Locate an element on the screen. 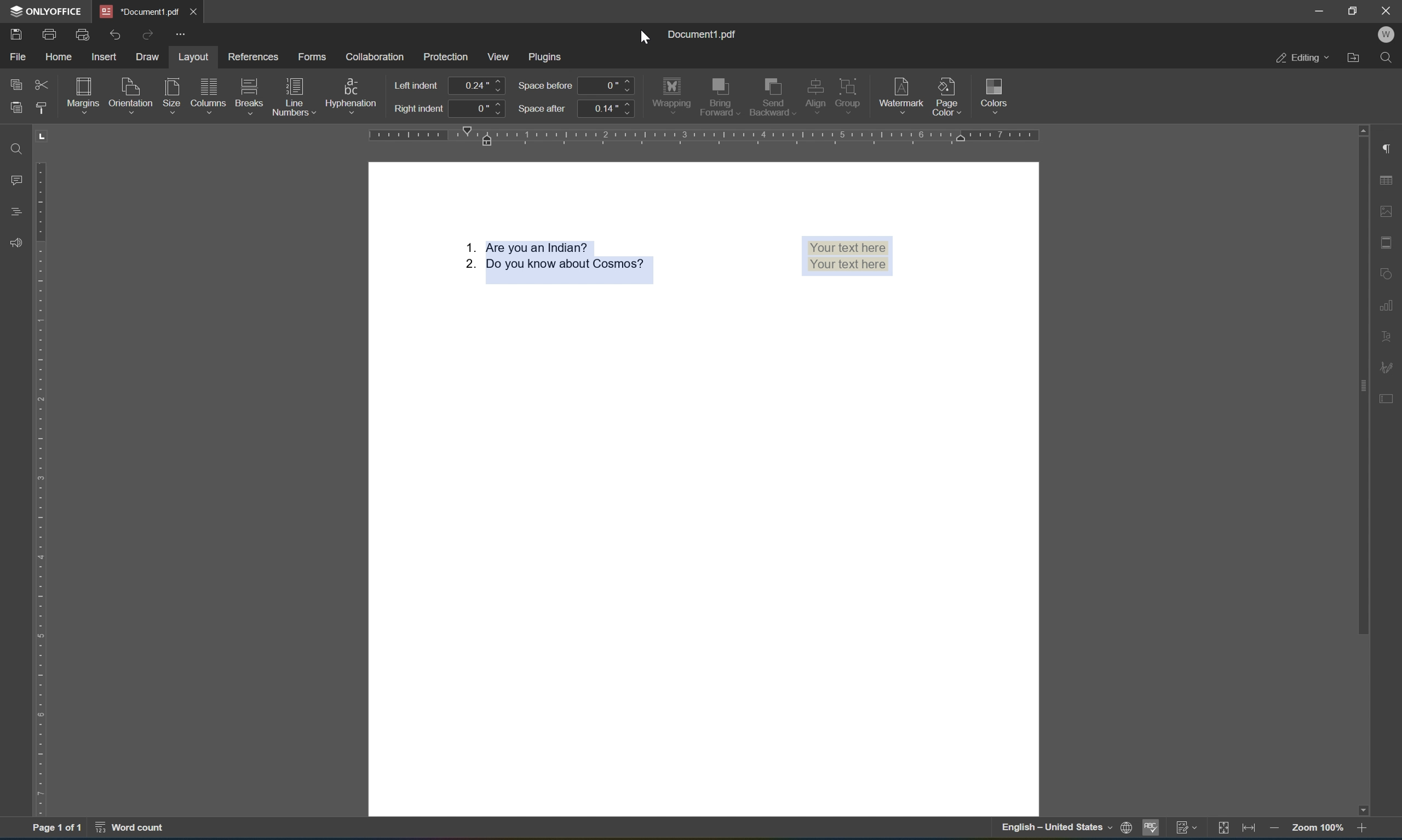 Image resolution: width=1402 pixels, height=840 pixels. word count is located at coordinates (136, 830).